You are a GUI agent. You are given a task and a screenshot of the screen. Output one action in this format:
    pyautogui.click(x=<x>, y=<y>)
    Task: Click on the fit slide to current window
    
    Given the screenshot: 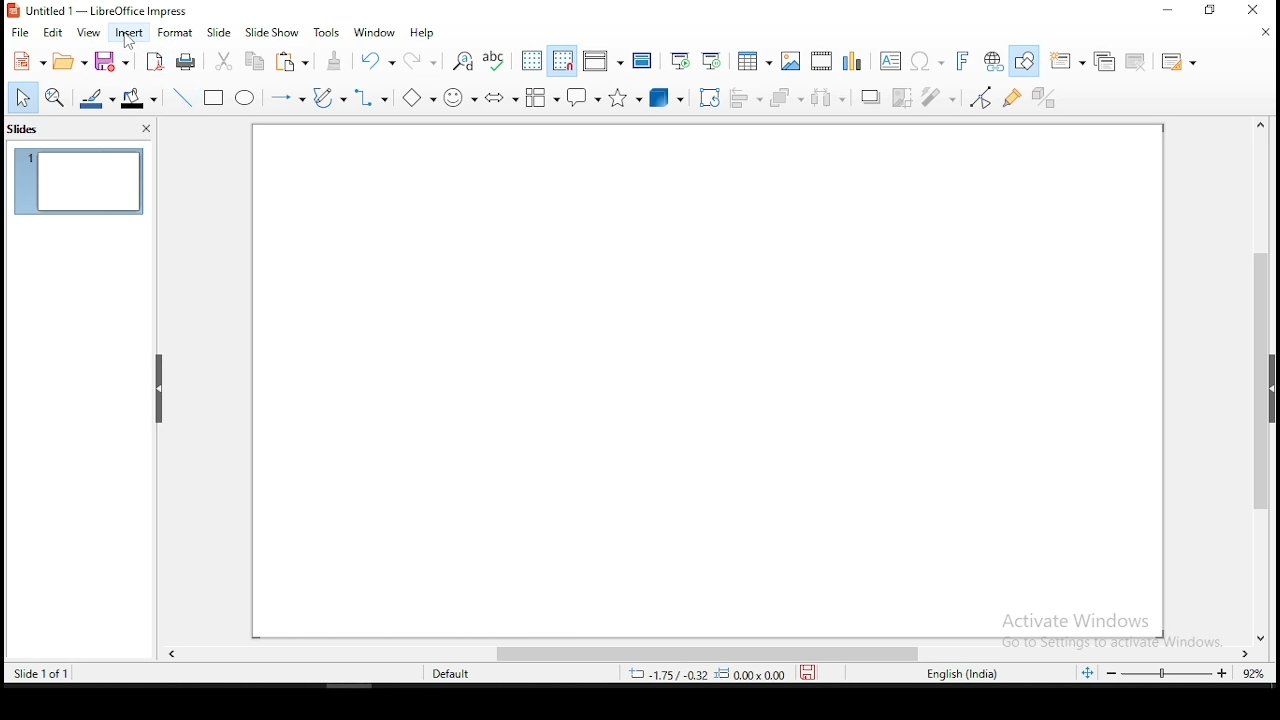 What is the action you would take?
    pyautogui.click(x=1086, y=673)
    